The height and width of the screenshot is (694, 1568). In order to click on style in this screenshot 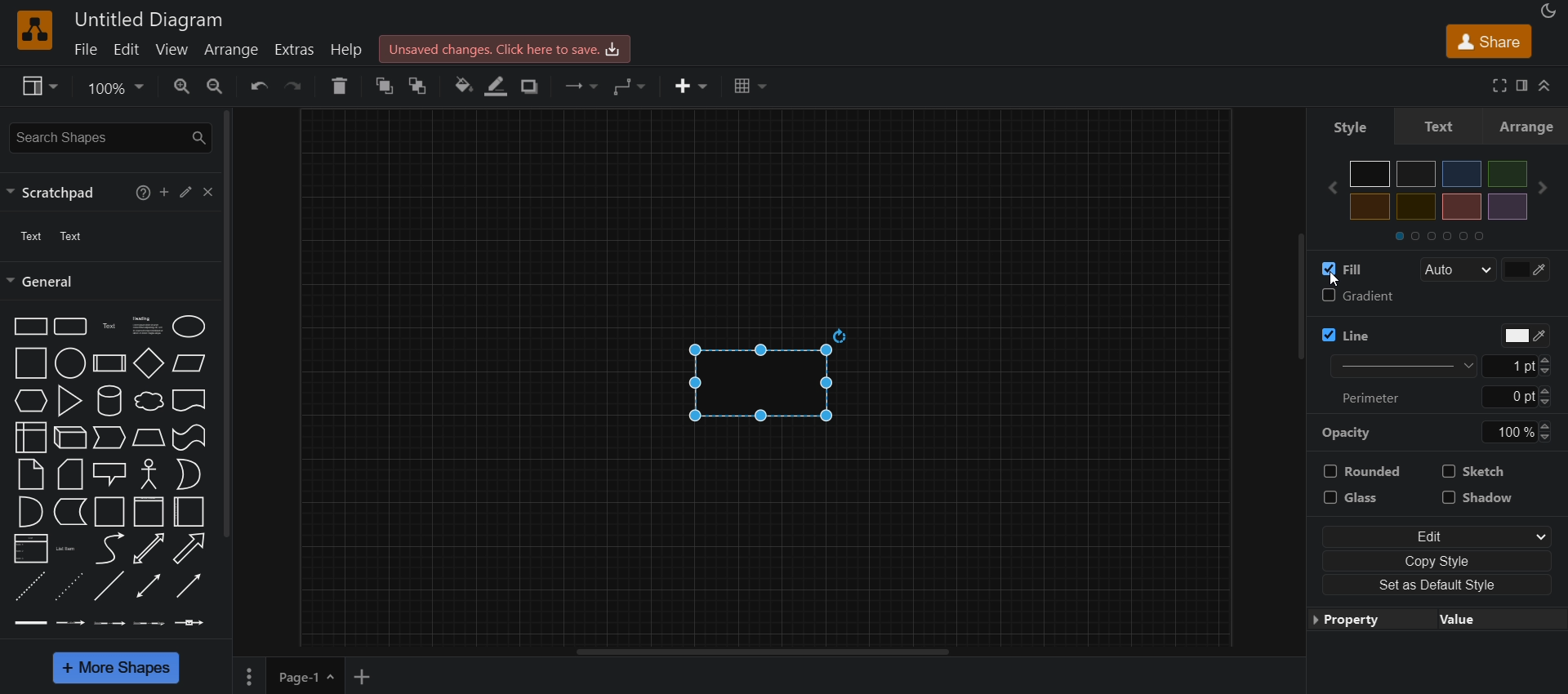, I will do `click(1441, 128)`.